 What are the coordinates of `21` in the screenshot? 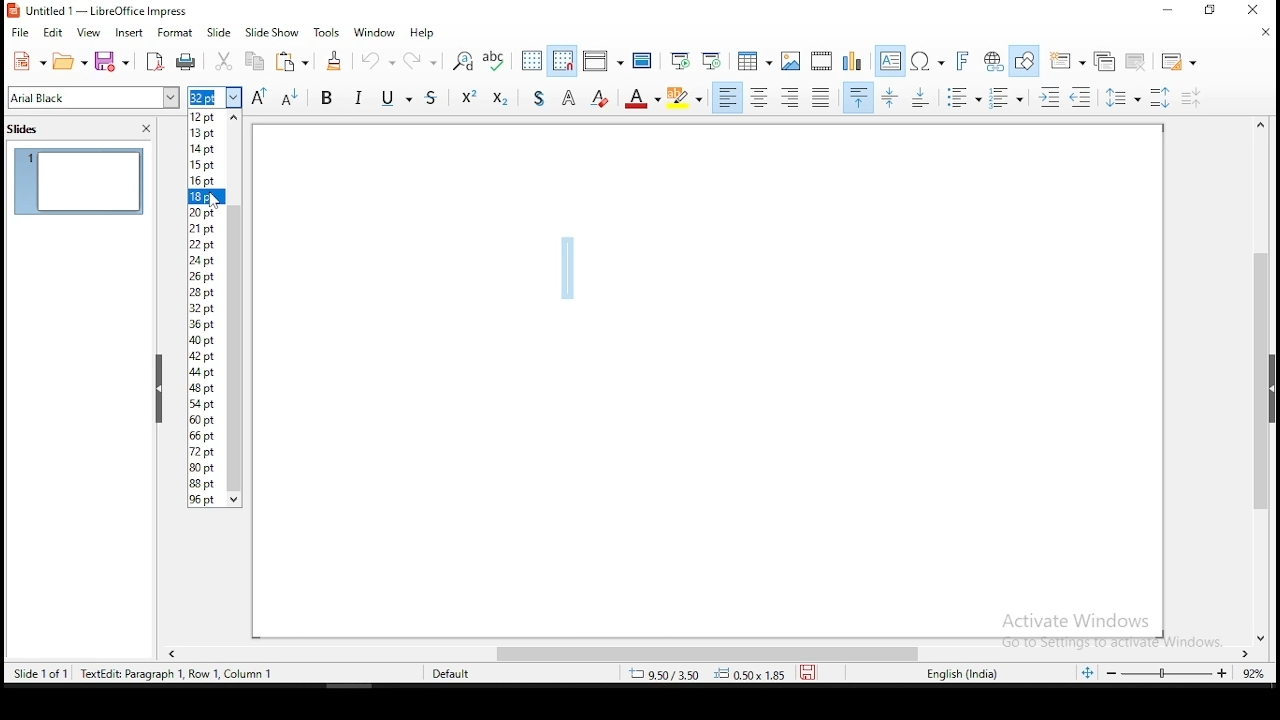 It's located at (207, 229).